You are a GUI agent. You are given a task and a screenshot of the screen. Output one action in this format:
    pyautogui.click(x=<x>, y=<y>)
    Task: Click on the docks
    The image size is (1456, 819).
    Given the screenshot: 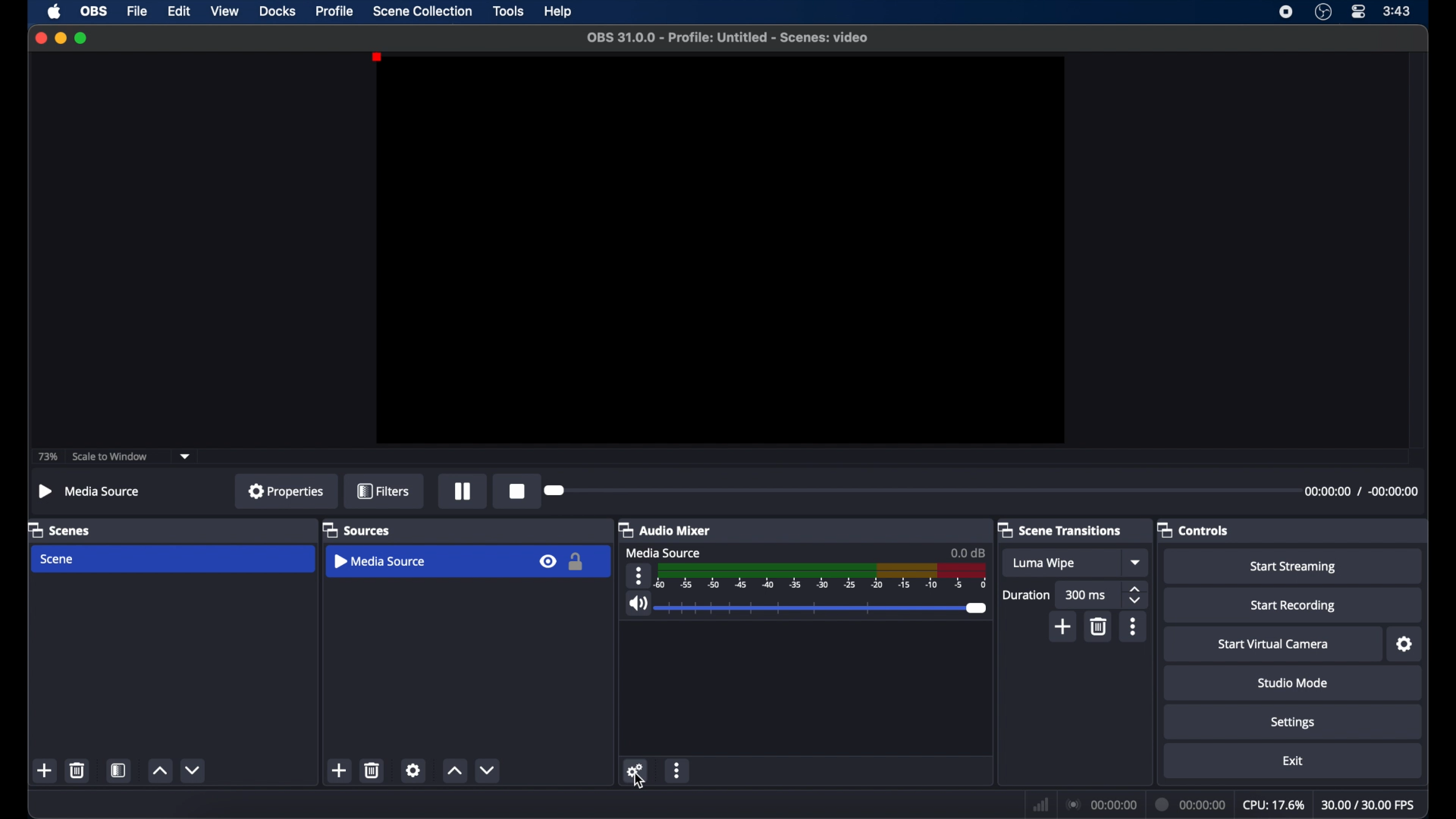 What is the action you would take?
    pyautogui.click(x=278, y=11)
    